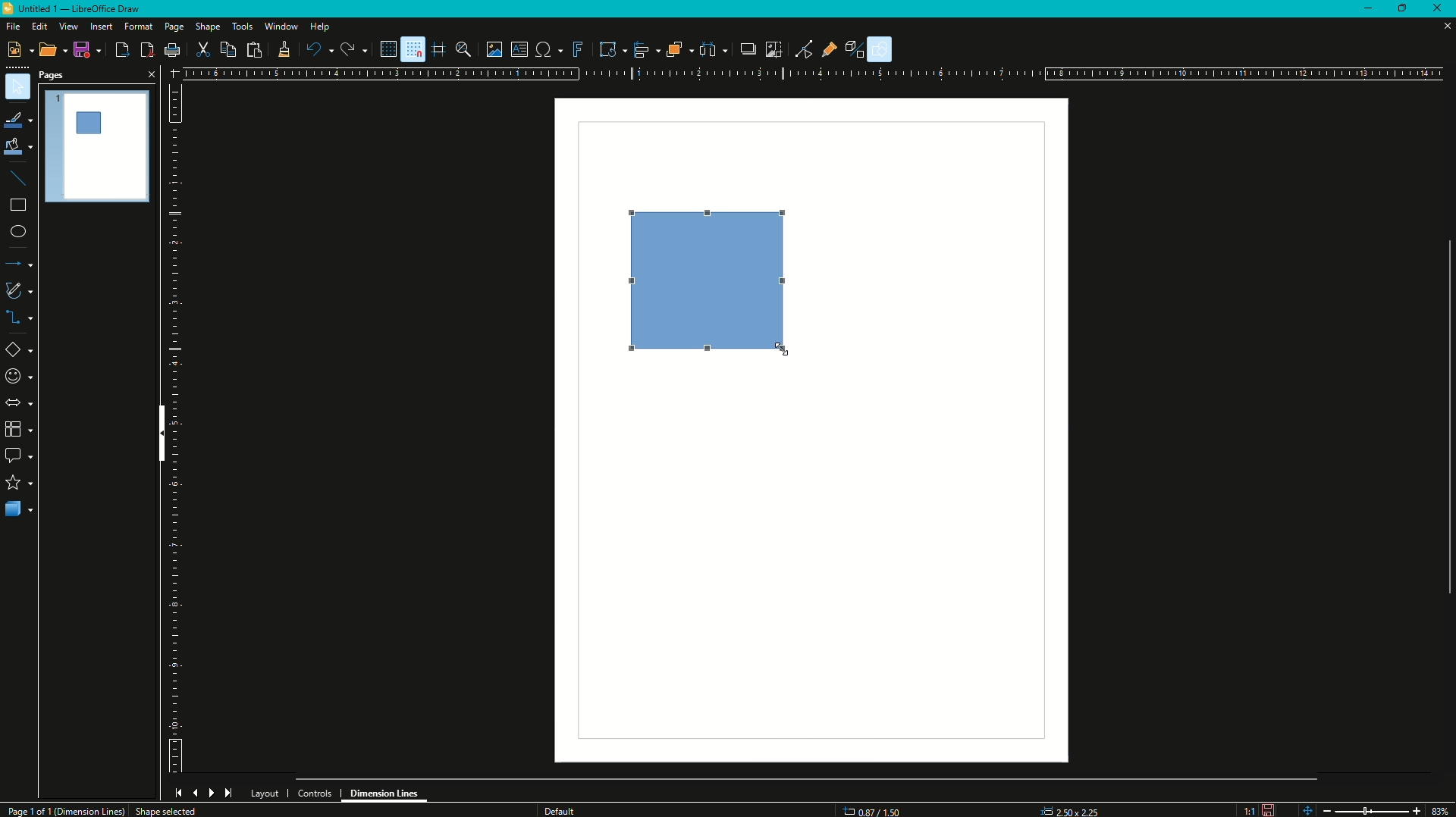 Image resolution: width=1456 pixels, height=817 pixels. I want to click on Sketch, so click(20, 290).